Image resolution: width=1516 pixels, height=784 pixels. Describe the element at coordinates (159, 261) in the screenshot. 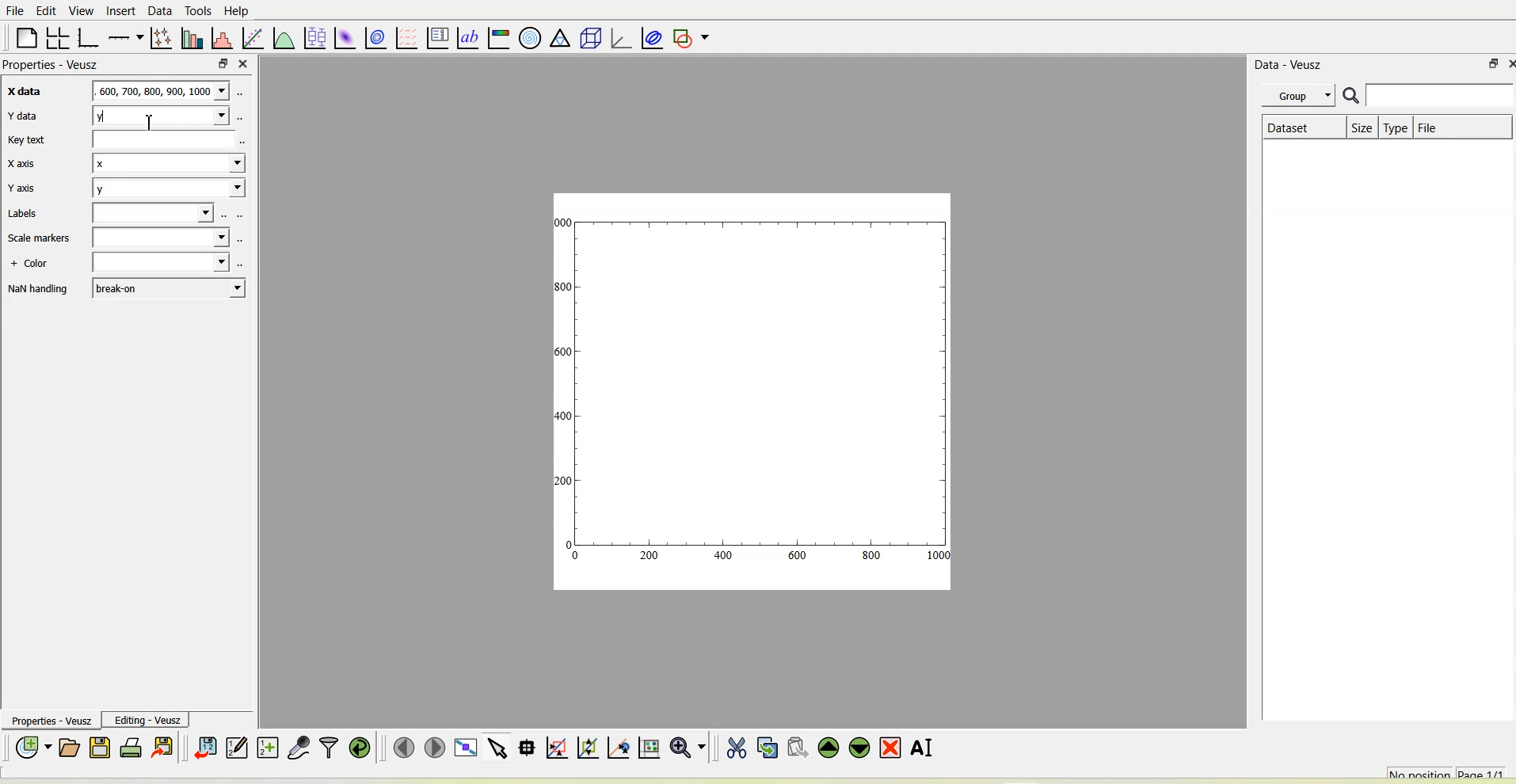

I see `Blank` at that location.